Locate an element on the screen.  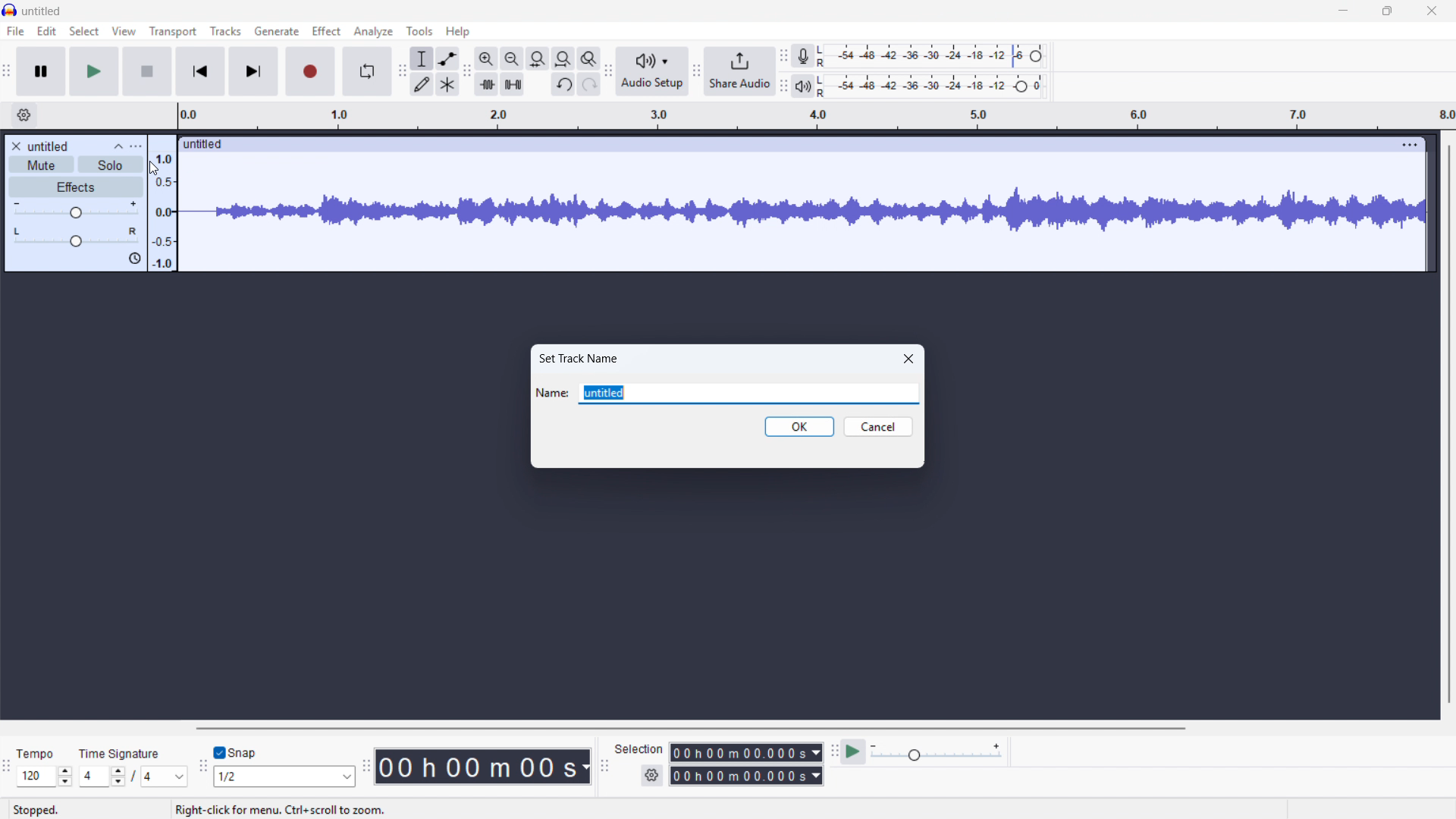
Time signature is located at coordinates (121, 752).